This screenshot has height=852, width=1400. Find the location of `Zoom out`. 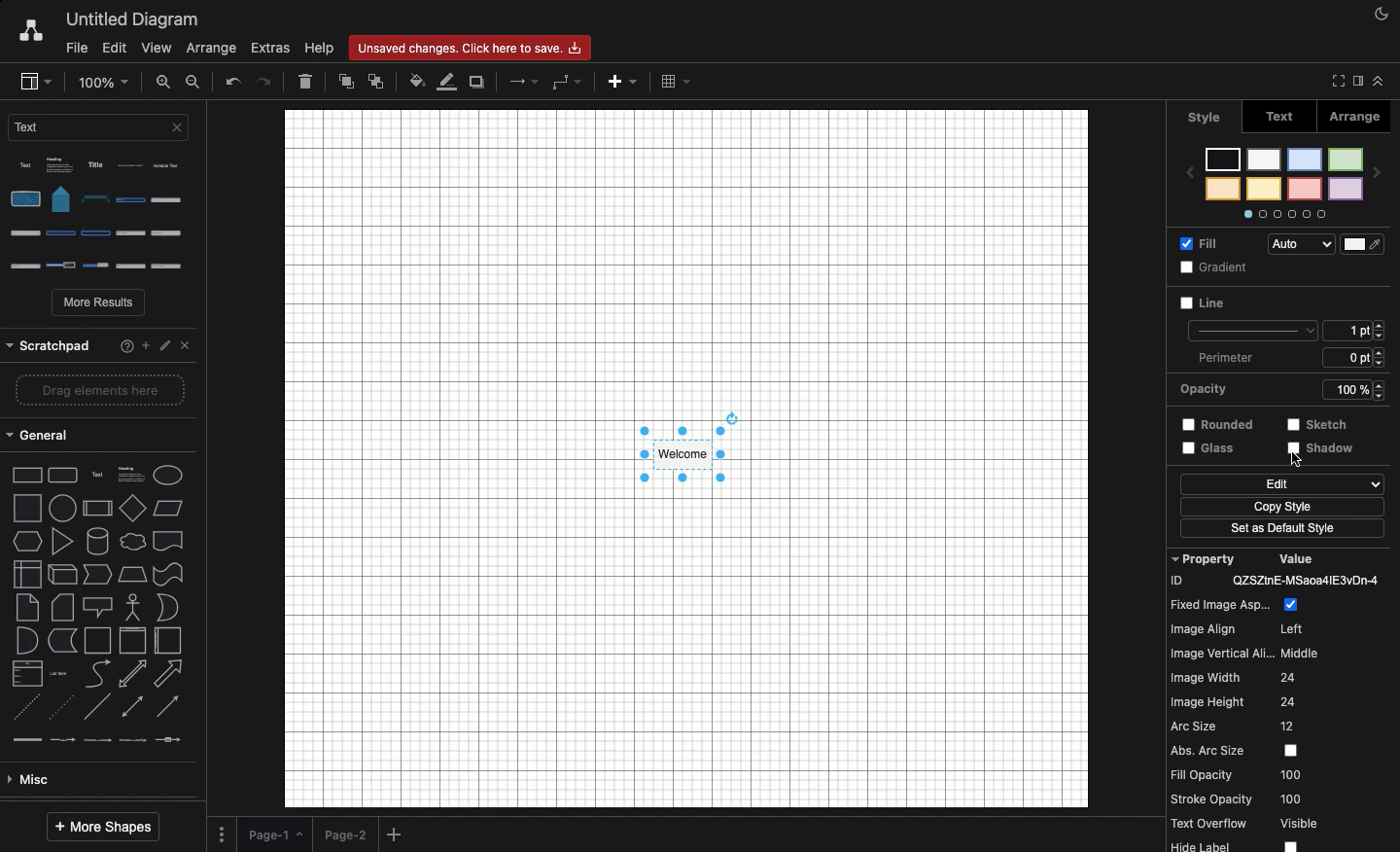

Zoom out is located at coordinates (194, 82).